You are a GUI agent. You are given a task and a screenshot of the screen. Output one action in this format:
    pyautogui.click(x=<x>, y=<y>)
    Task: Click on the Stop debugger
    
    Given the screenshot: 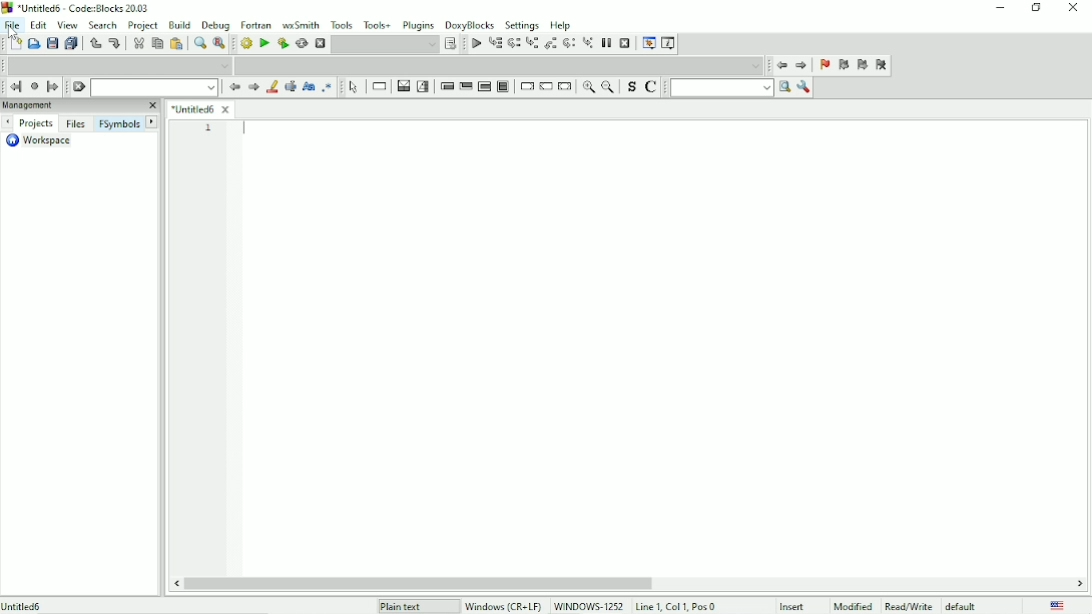 What is the action you would take?
    pyautogui.click(x=624, y=43)
    